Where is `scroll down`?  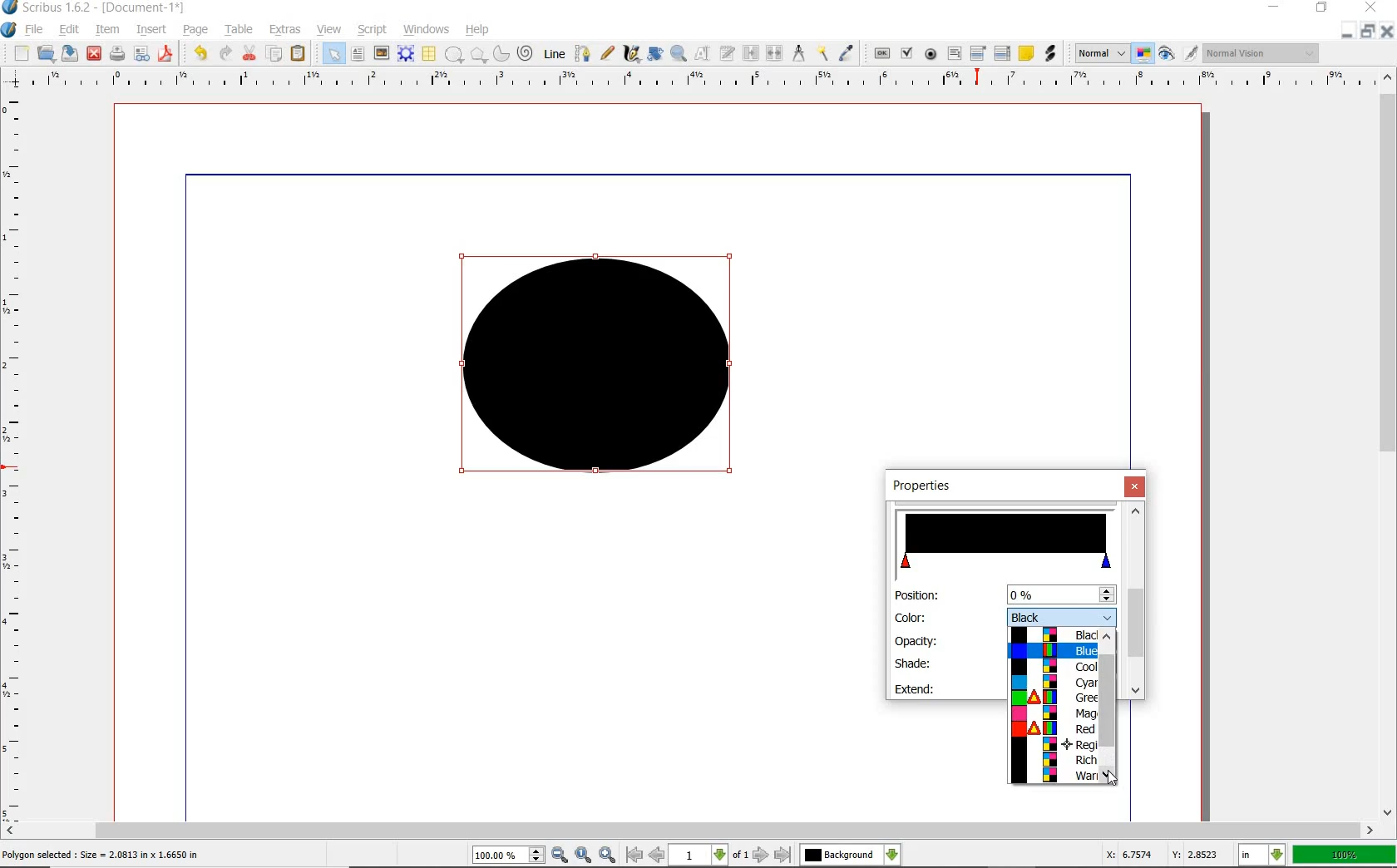
scroll down is located at coordinates (1134, 691).